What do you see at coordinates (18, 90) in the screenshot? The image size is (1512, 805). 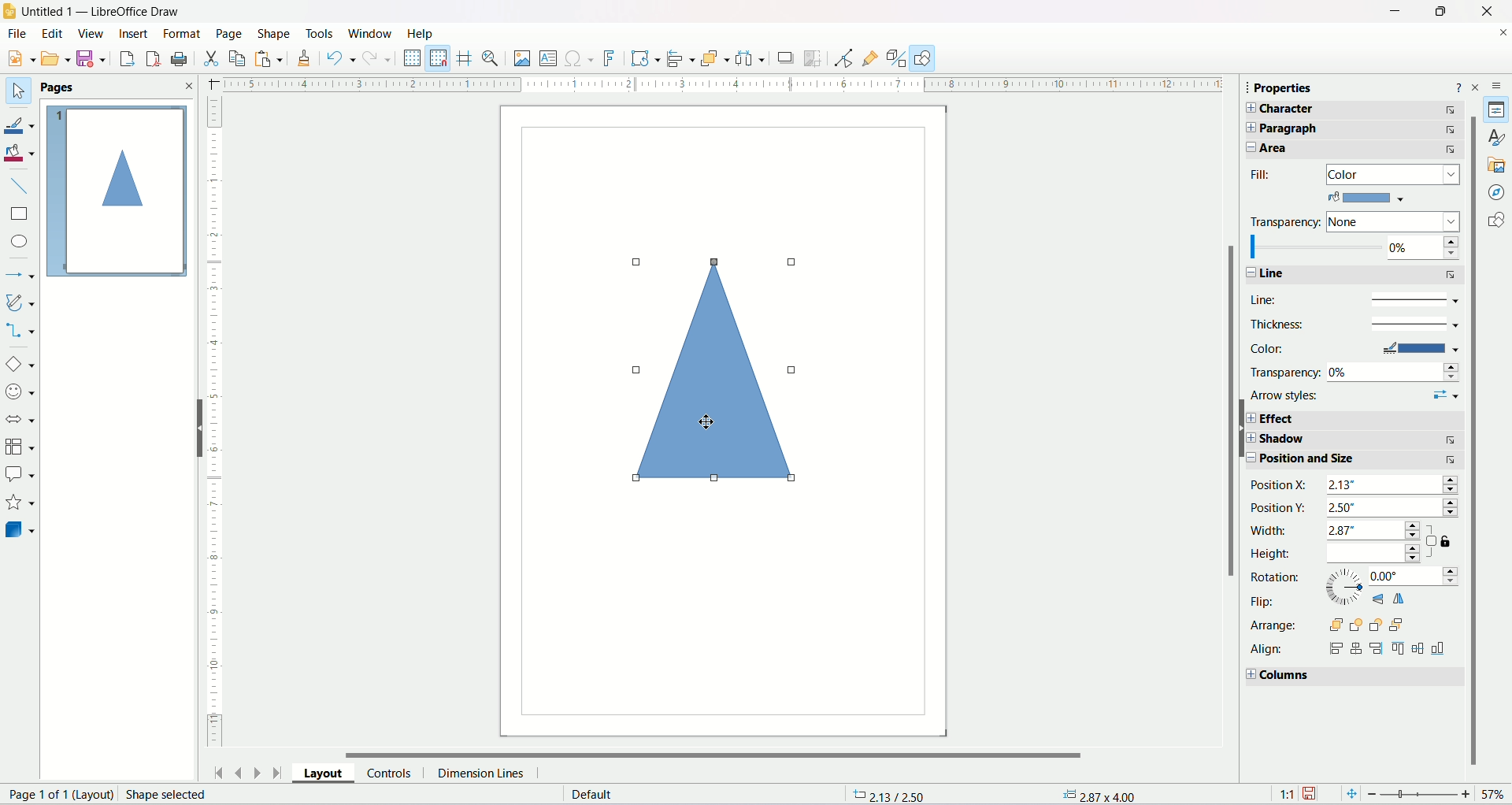 I see `Select` at bounding box center [18, 90].